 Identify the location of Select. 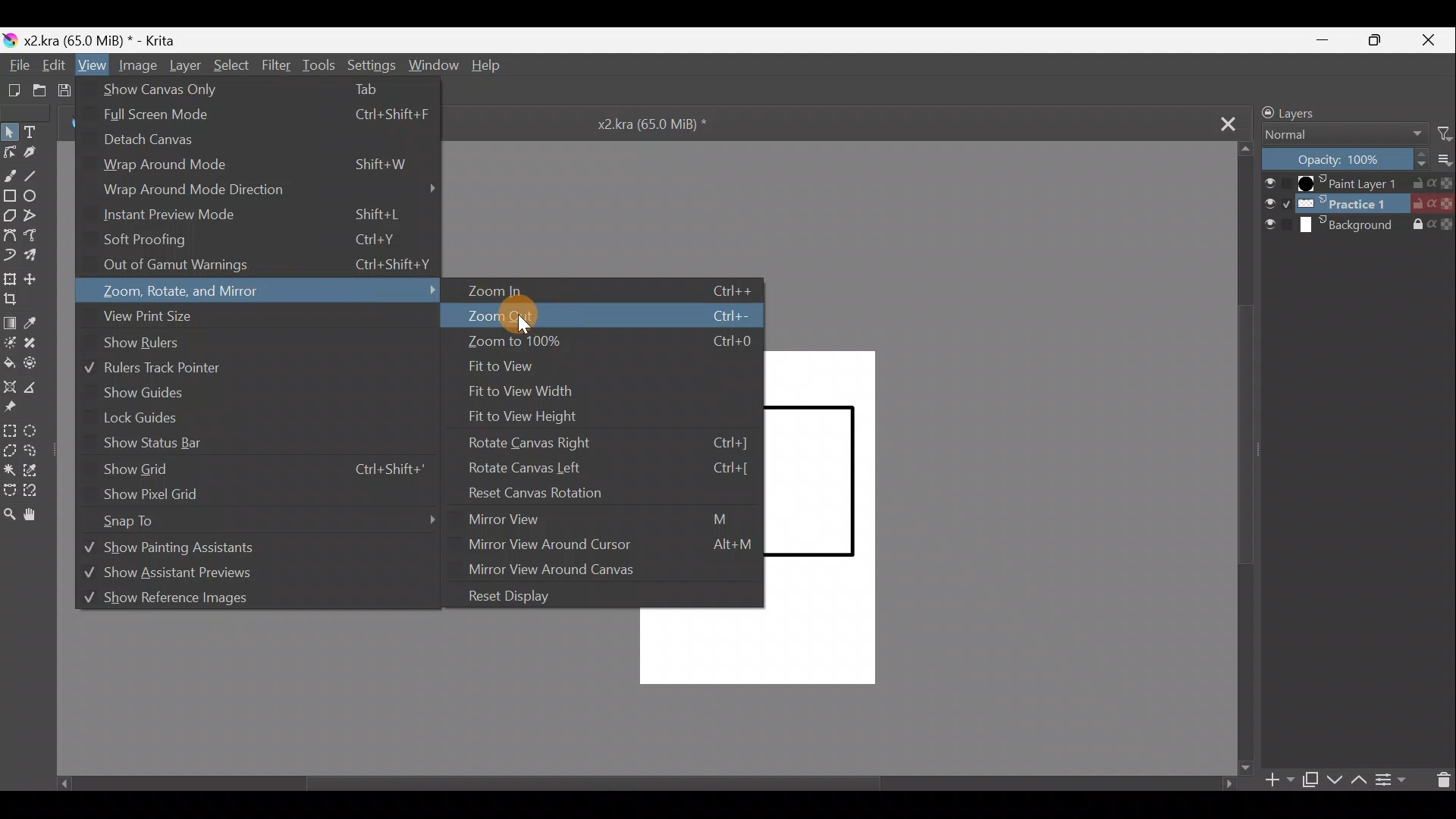
(231, 66).